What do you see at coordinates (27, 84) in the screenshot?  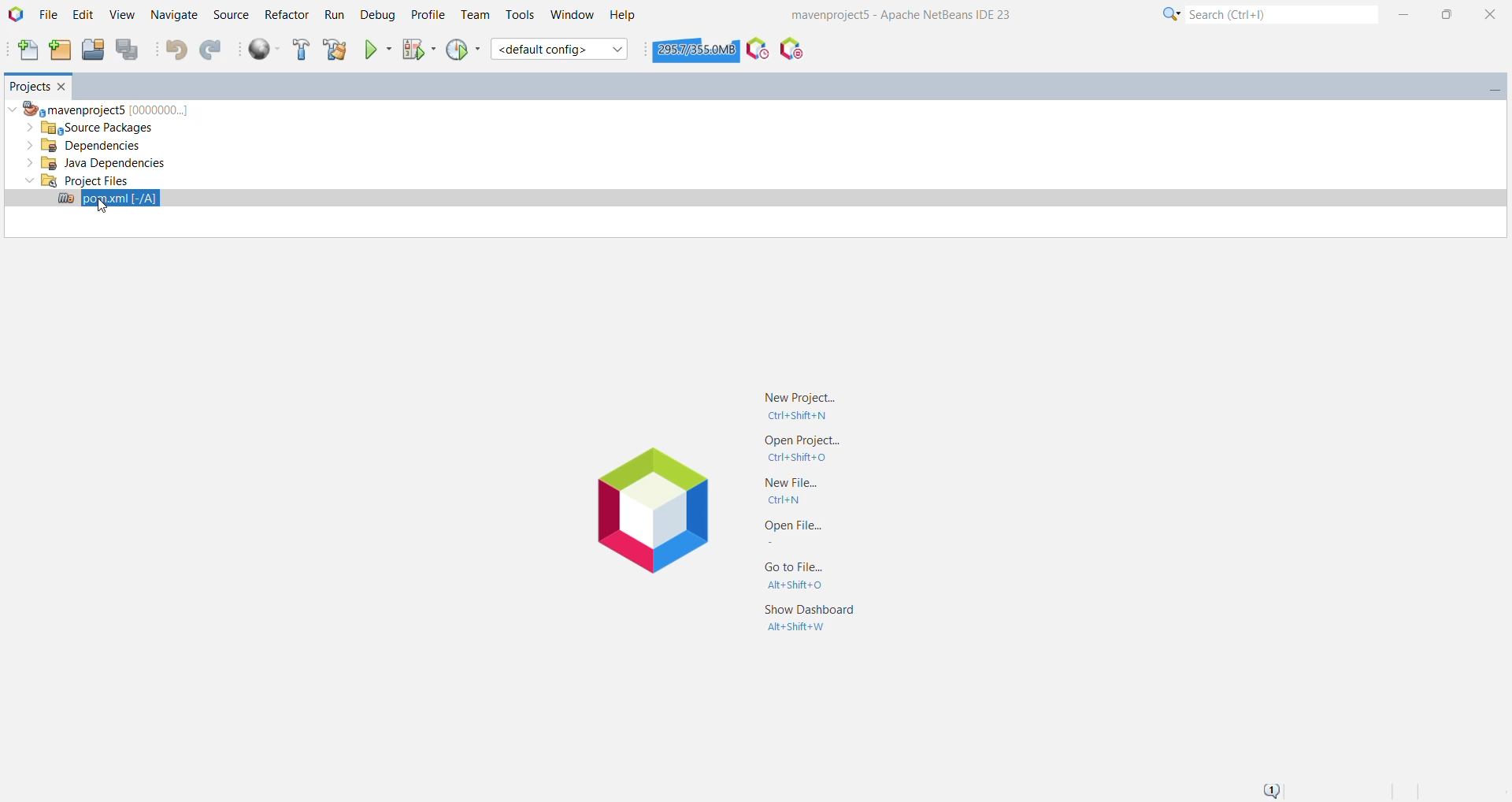 I see `Projects Window` at bounding box center [27, 84].